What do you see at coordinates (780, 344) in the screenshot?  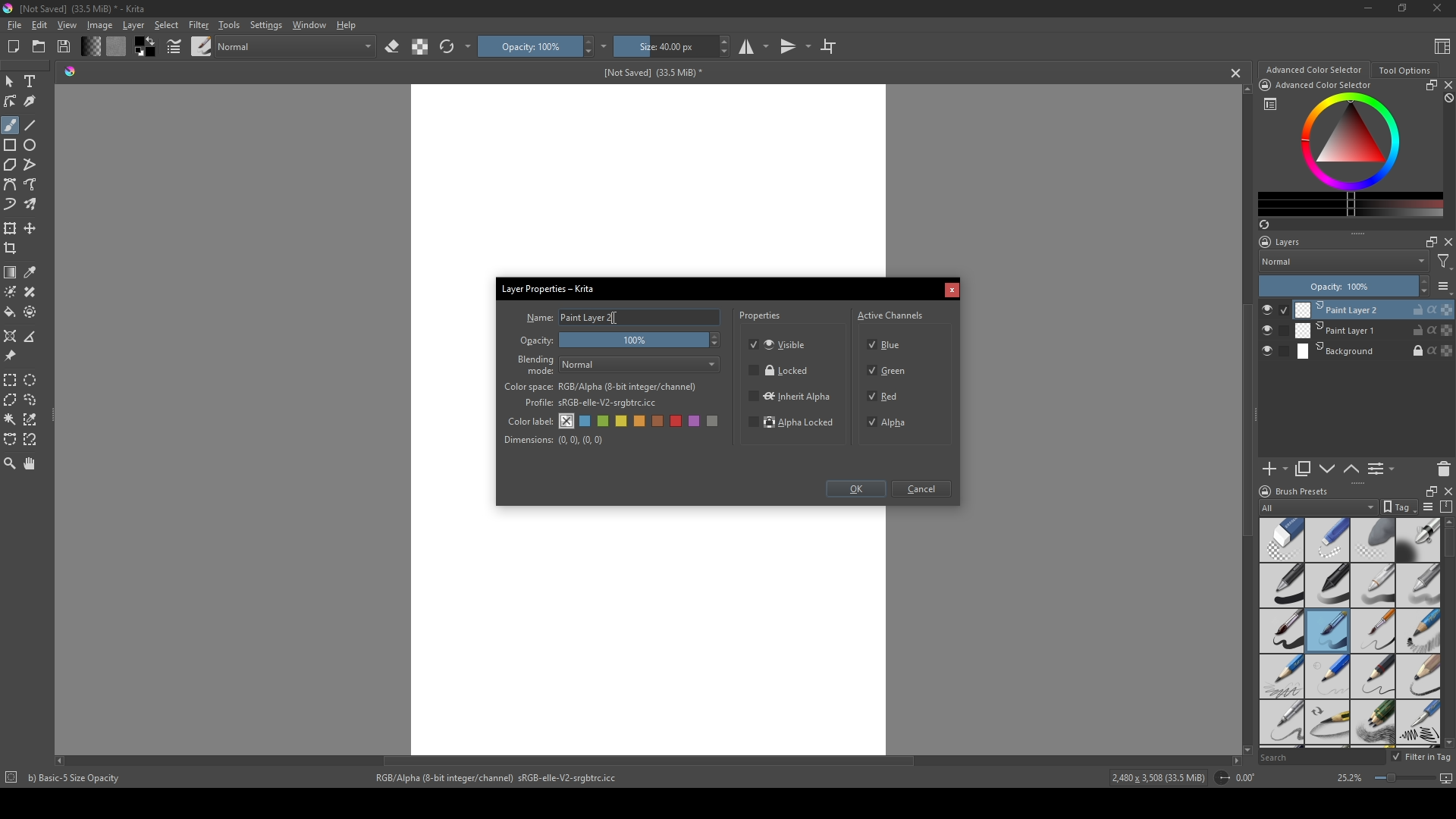 I see `Visible` at bounding box center [780, 344].